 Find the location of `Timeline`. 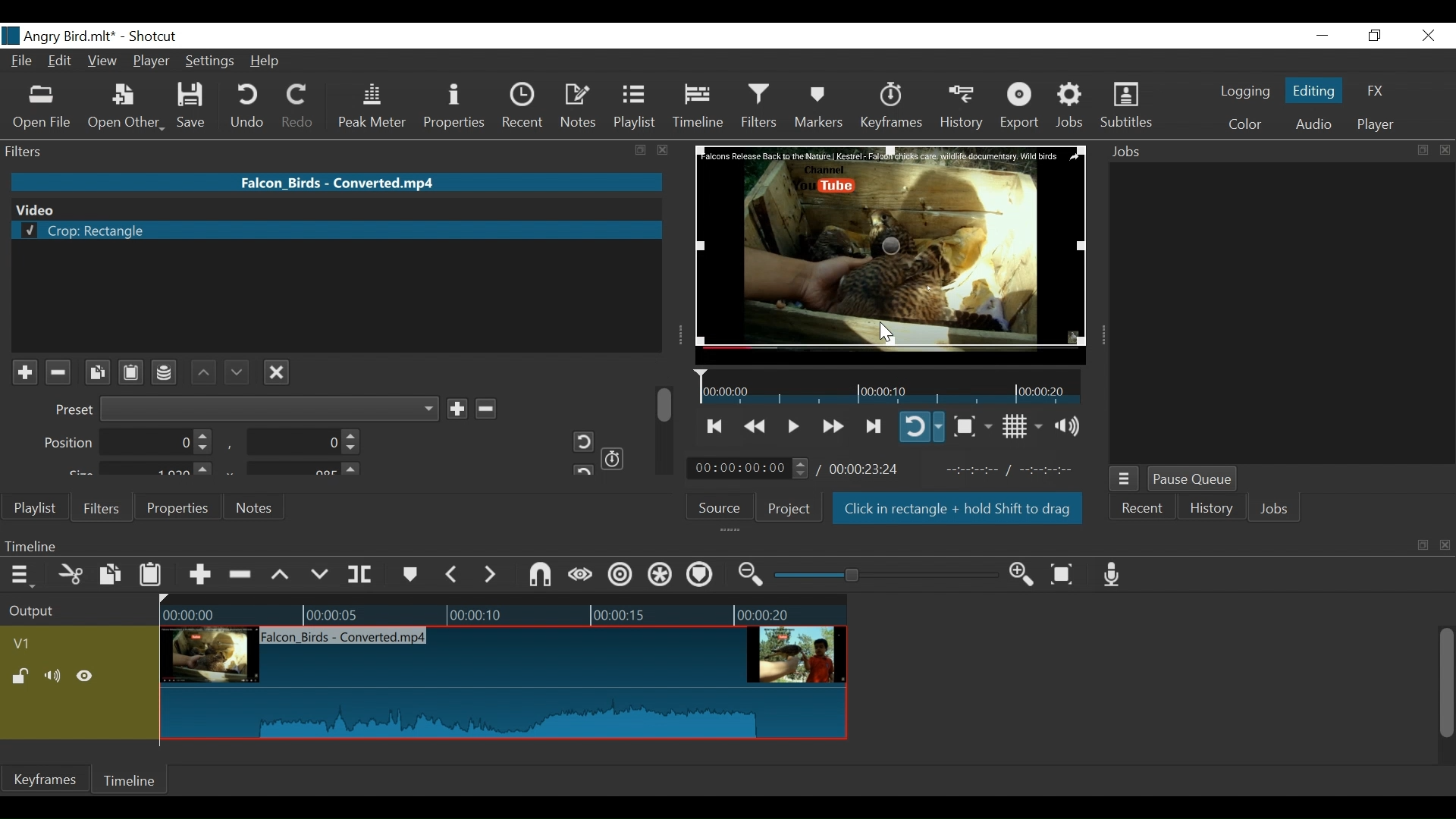

Timeline is located at coordinates (701, 545).